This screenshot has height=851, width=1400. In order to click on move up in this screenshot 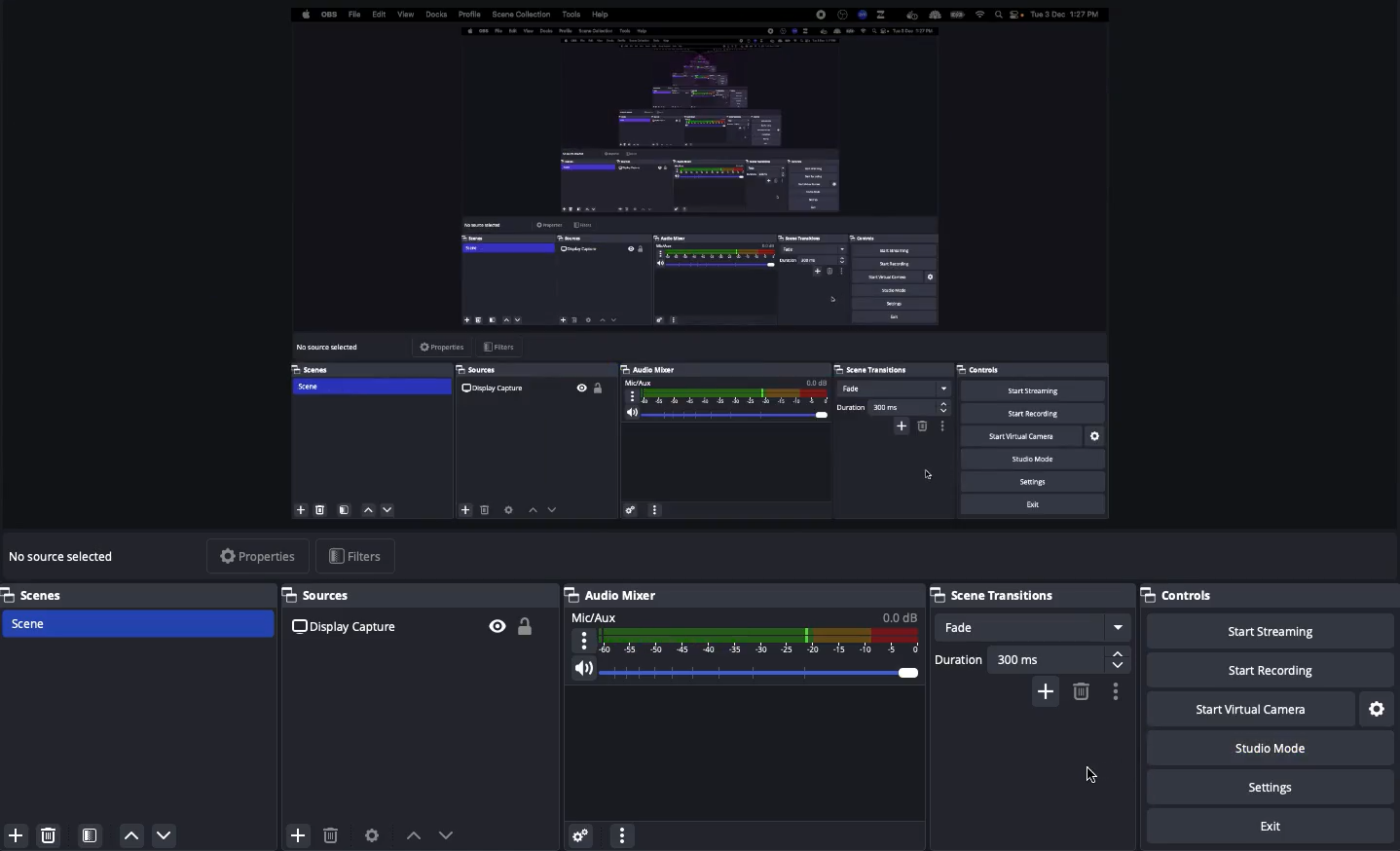, I will do `click(132, 836)`.